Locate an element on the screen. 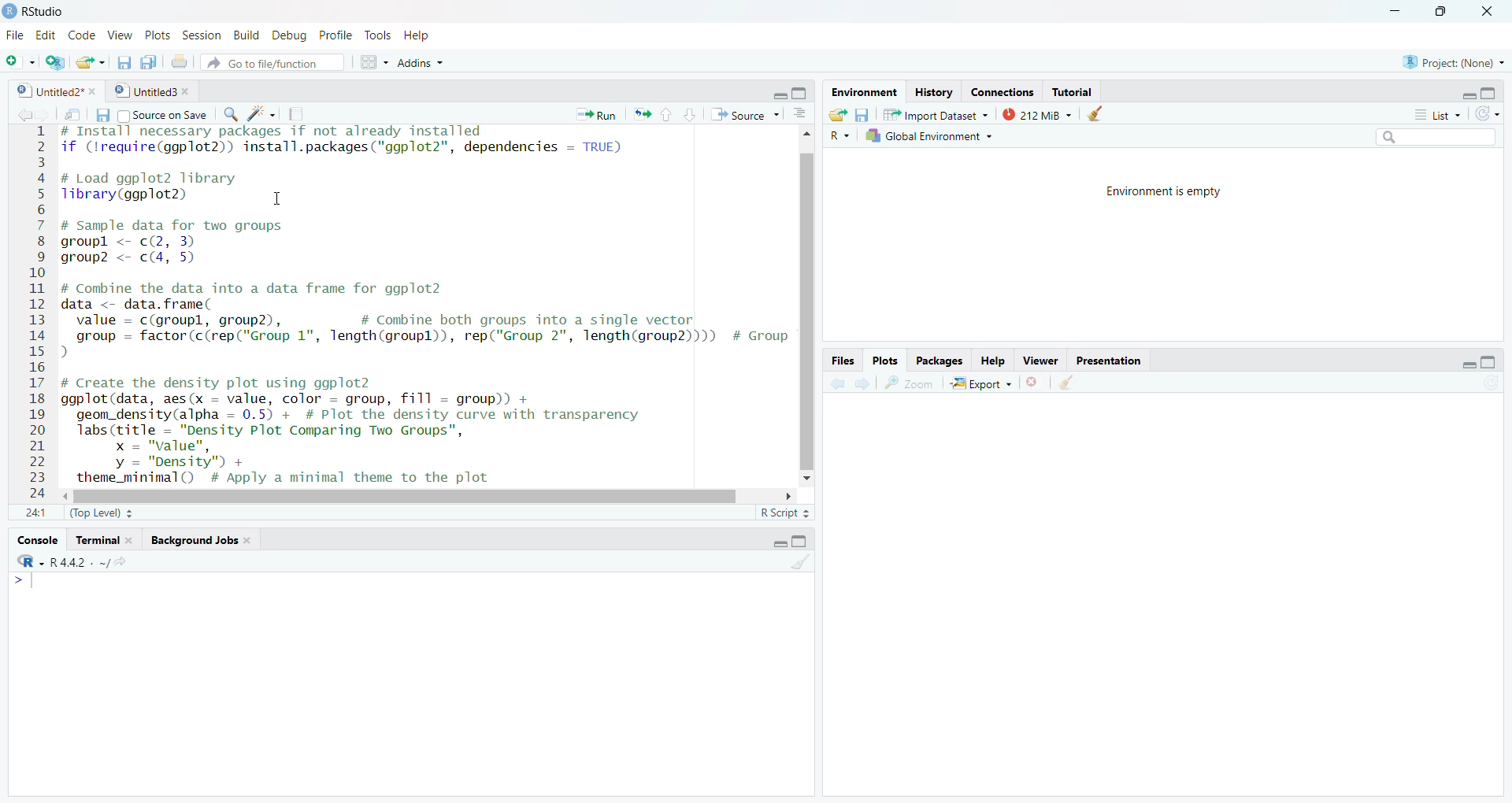 This screenshot has width=1512, height=803. build is located at coordinates (246, 35).